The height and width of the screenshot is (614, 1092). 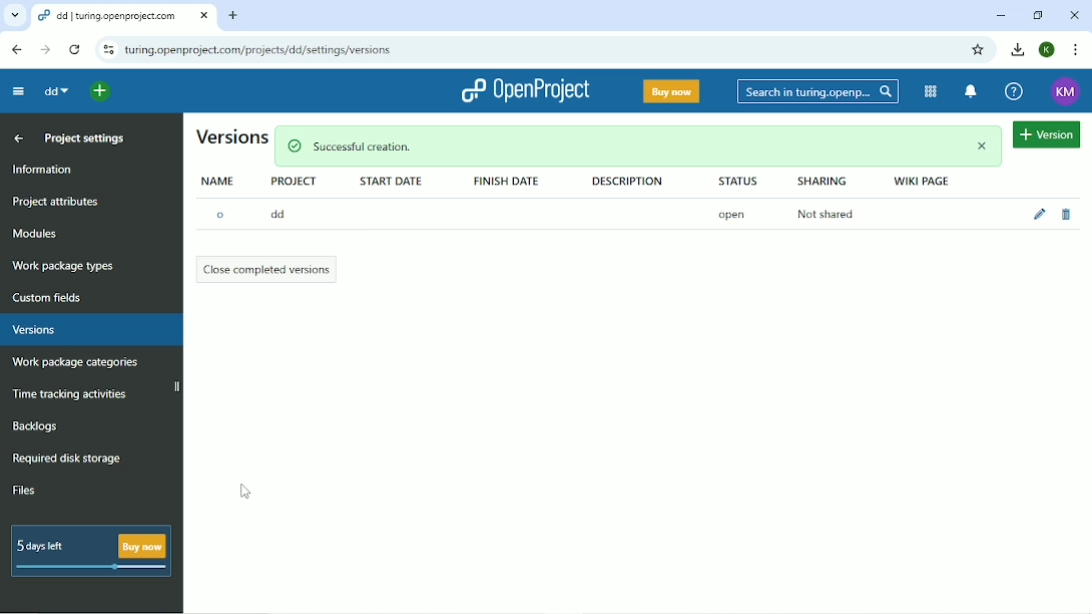 I want to click on Collapse project menu, so click(x=19, y=92).